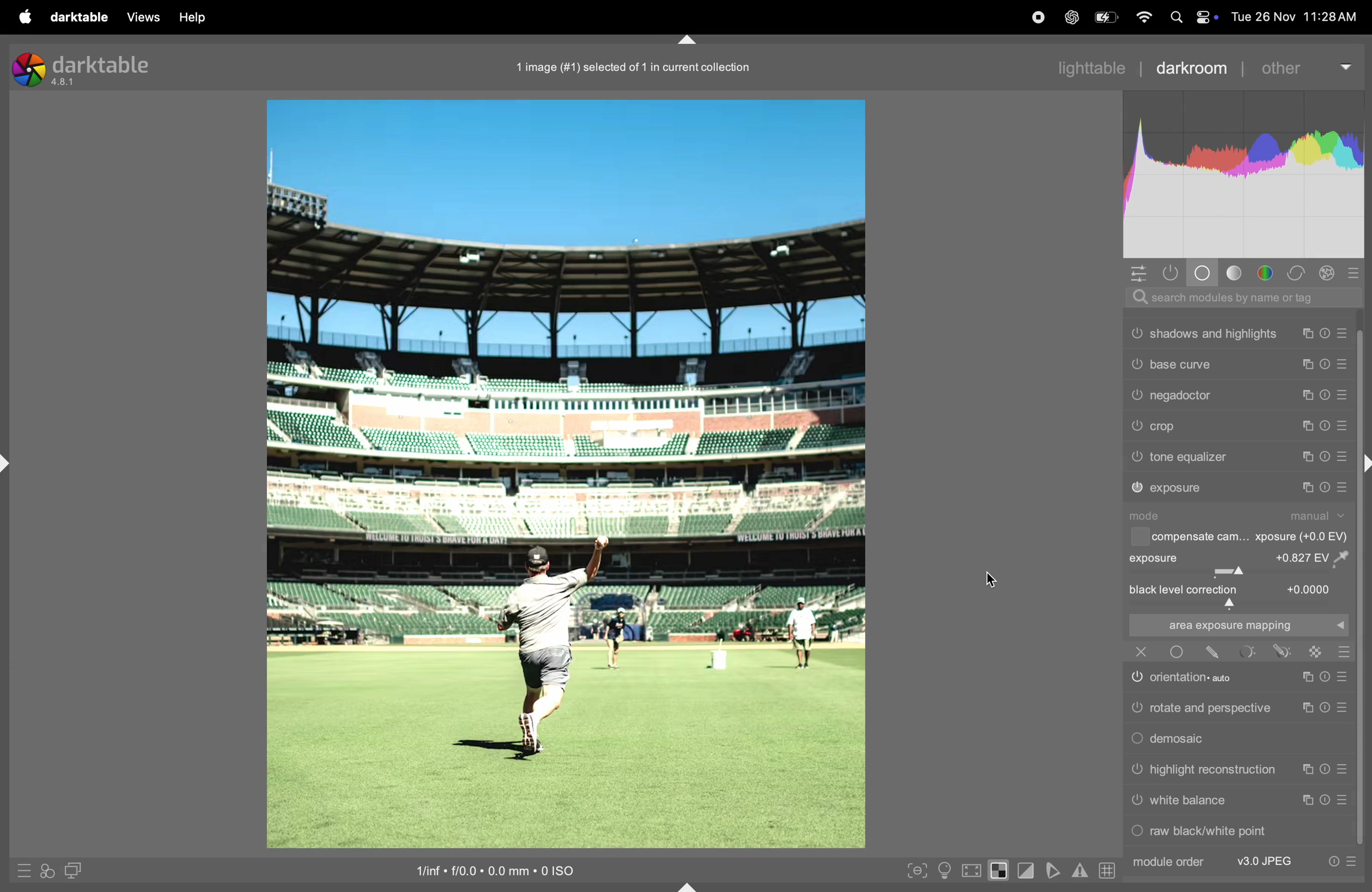 This screenshot has height=892, width=1372. What do you see at coordinates (1136, 740) in the screenshot?
I see `Switch on or off` at bounding box center [1136, 740].